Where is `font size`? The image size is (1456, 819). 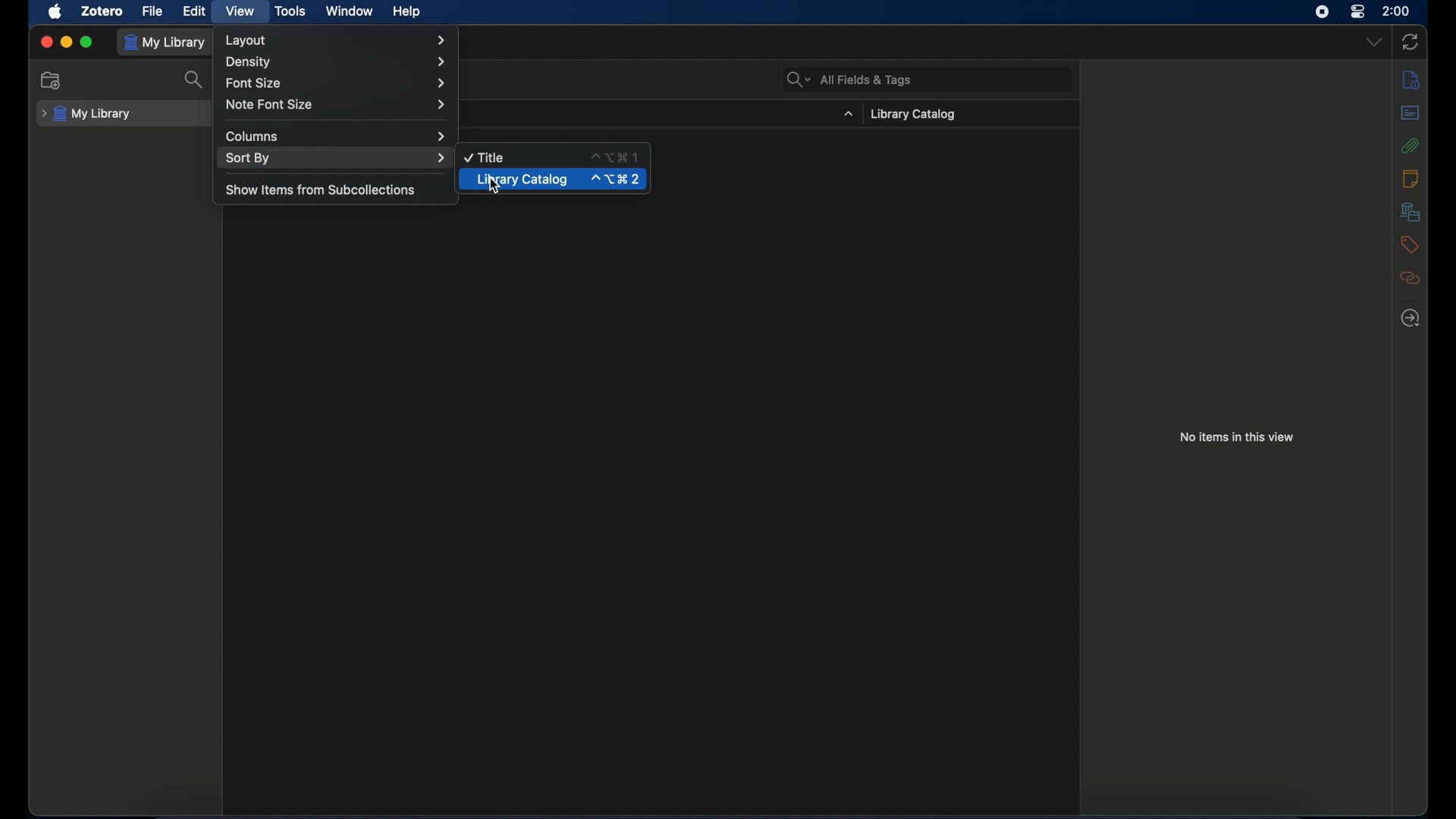 font size is located at coordinates (337, 83).